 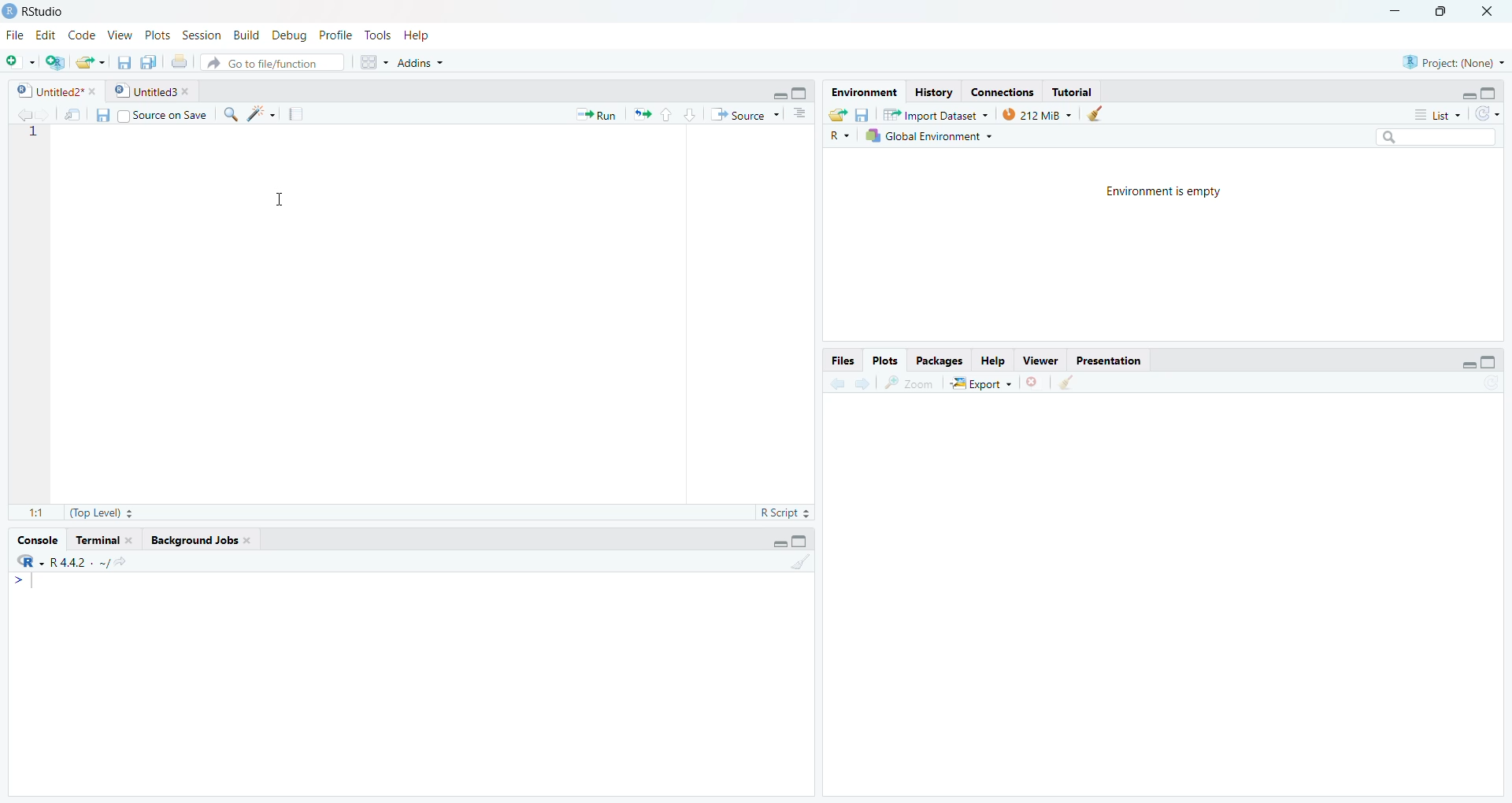 What do you see at coordinates (75, 563) in the screenshot?
I see `R .R.4.4.2` at bounding box center [75, 563].